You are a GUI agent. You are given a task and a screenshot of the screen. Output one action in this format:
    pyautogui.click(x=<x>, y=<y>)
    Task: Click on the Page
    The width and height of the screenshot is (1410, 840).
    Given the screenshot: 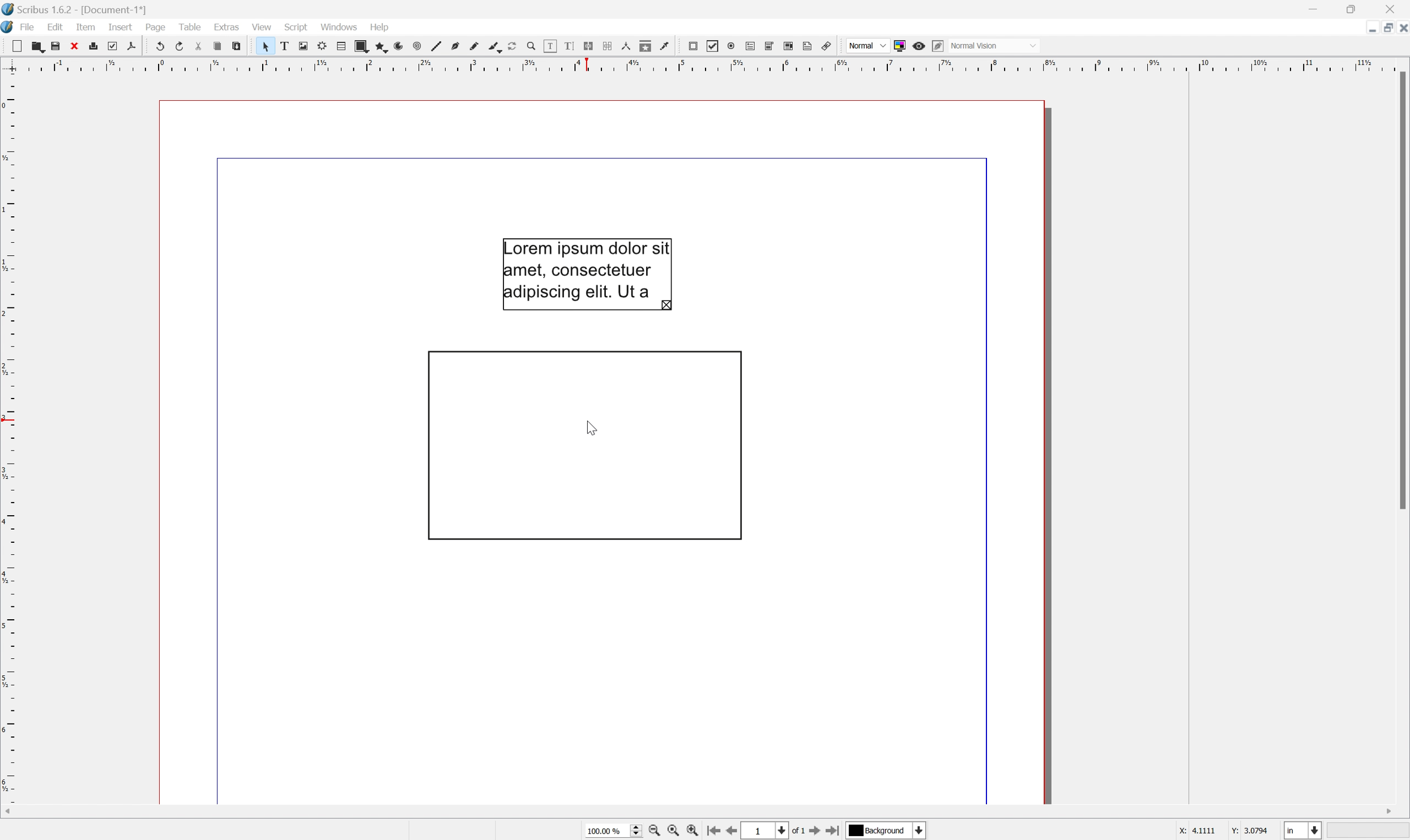 What is the action you would take?
    pyautogui.click(x=156, y=28)
    